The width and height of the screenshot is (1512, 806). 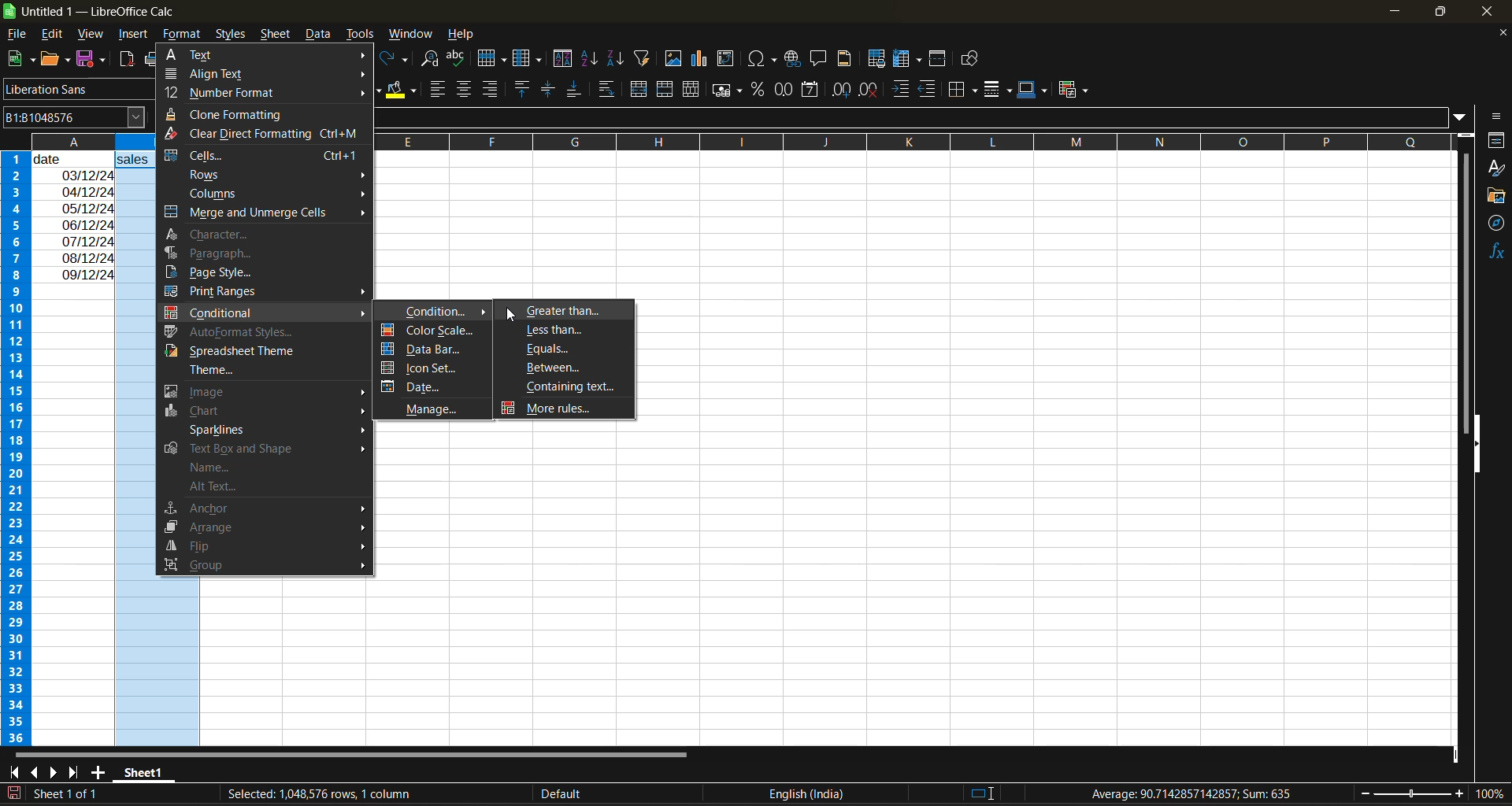 I want to click on expand formula bar, so click(x=1466, y=119).